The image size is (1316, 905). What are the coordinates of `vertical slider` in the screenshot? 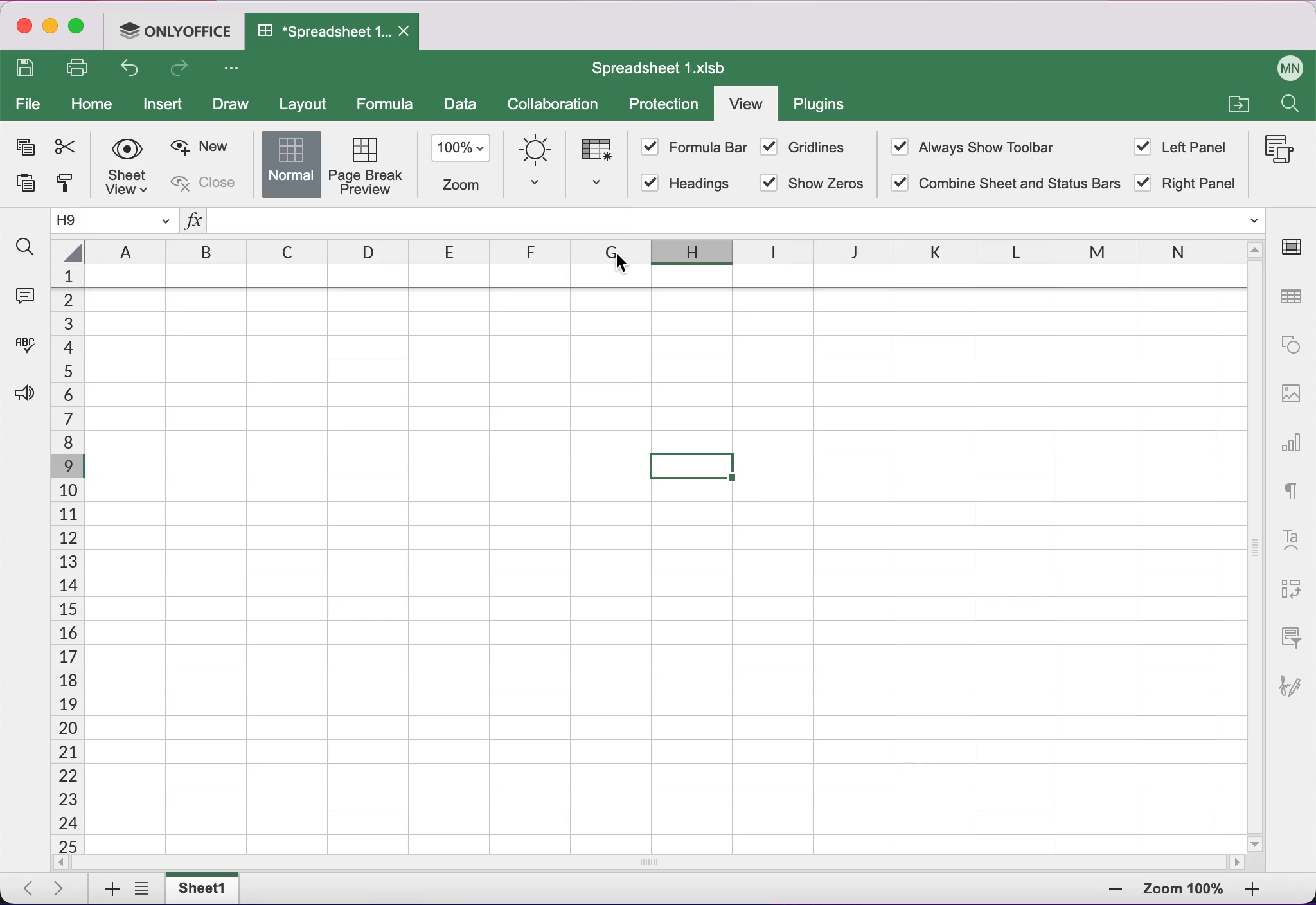 It's located at (1255, 546).